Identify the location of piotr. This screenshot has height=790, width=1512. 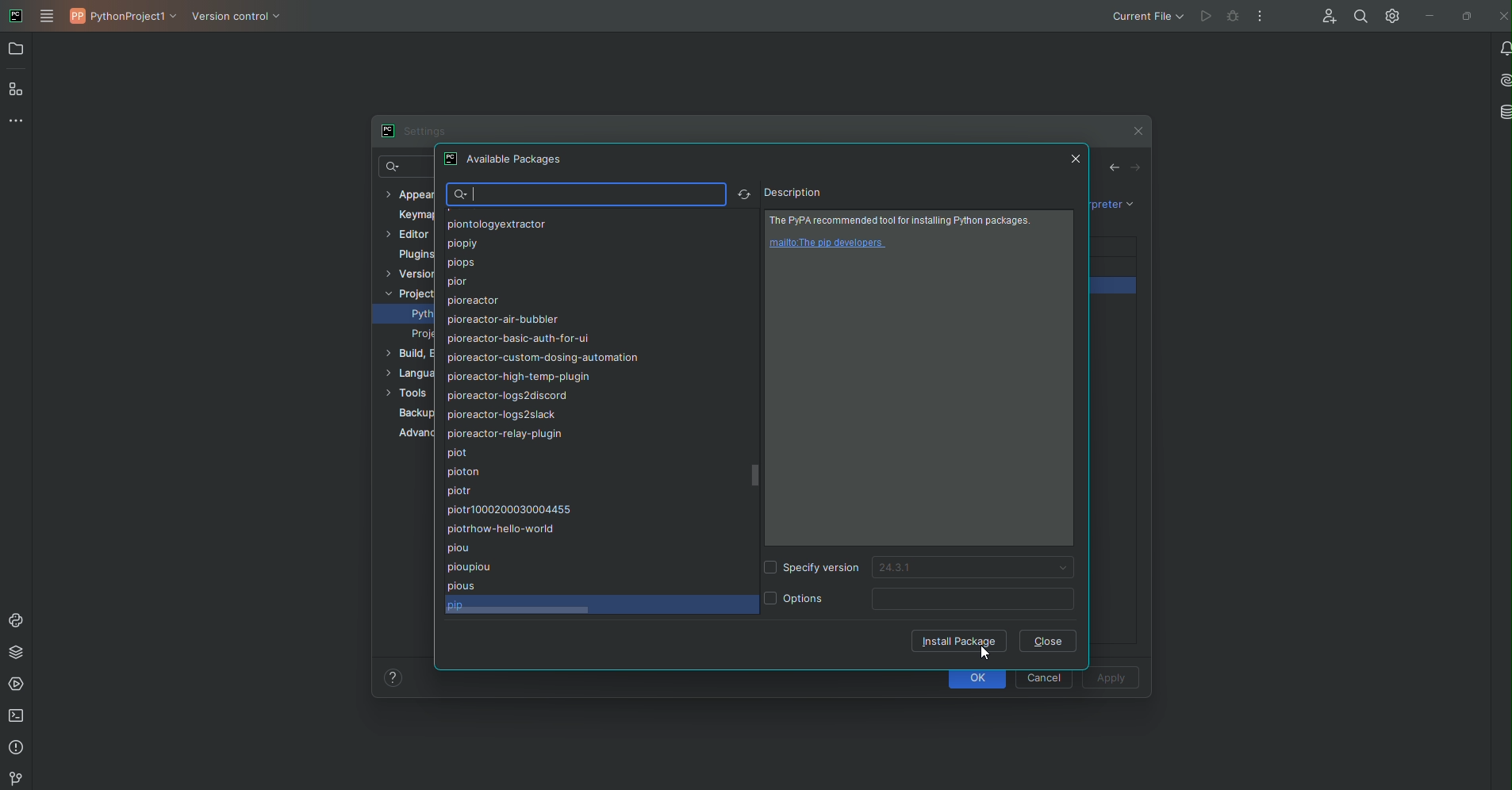
(466, 491).